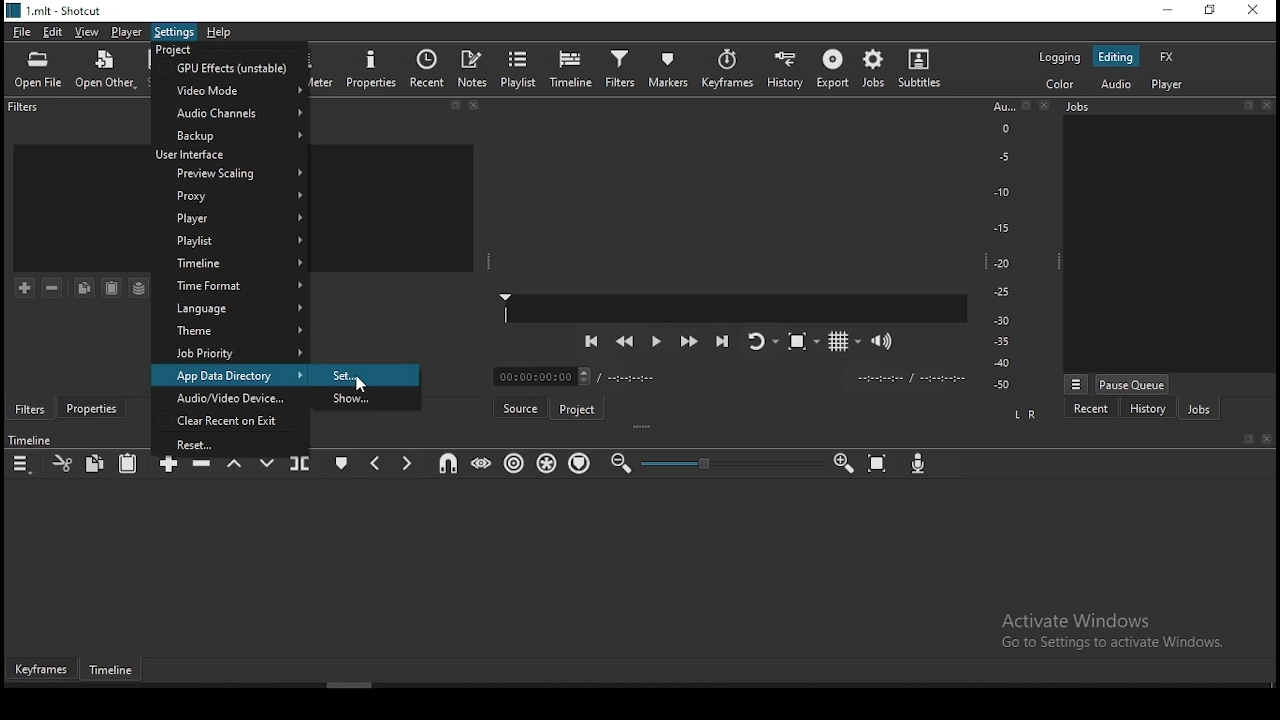  I want to click on cut, so click(61, 462).